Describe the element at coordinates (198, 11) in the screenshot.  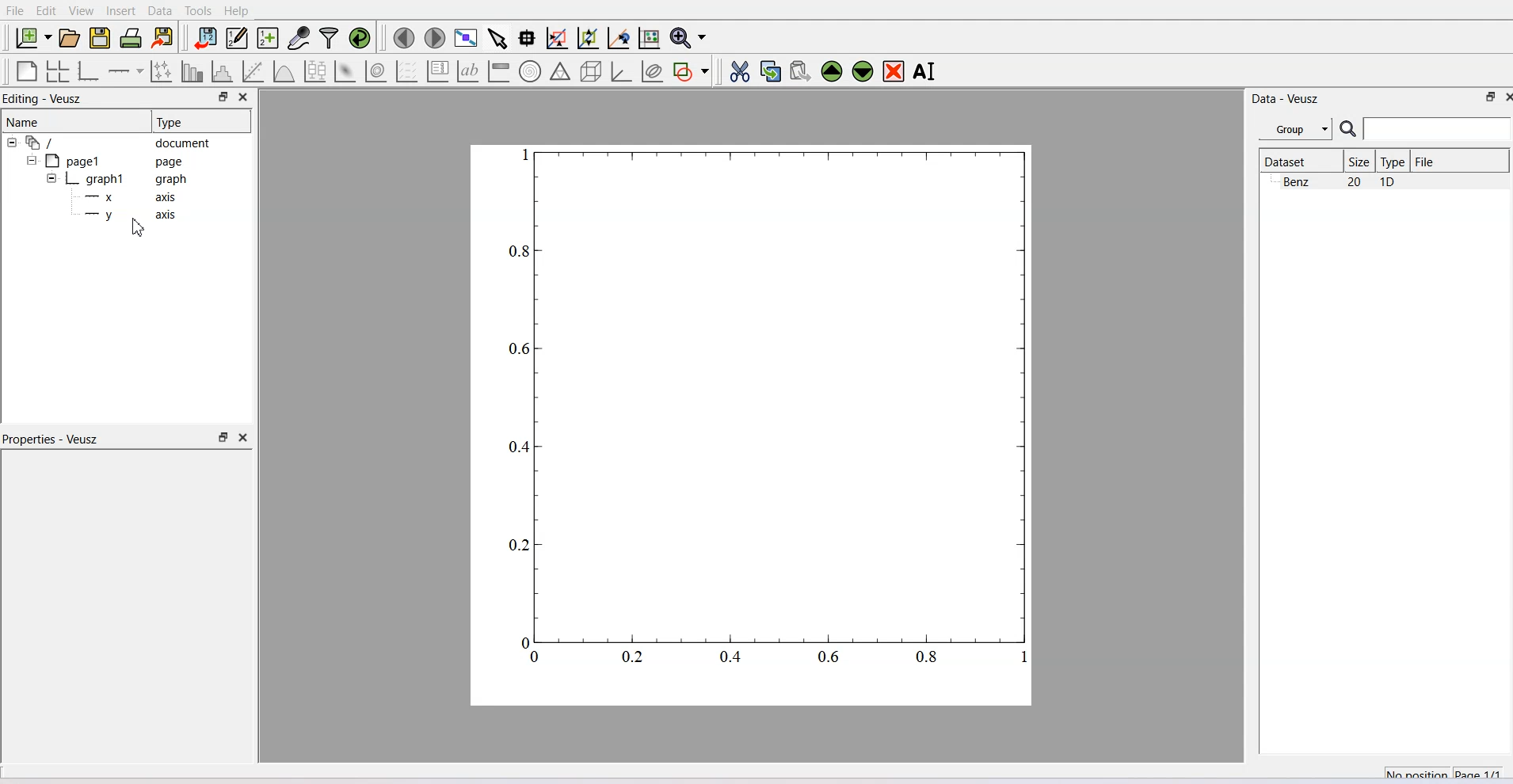
I see `Tools` at that location.